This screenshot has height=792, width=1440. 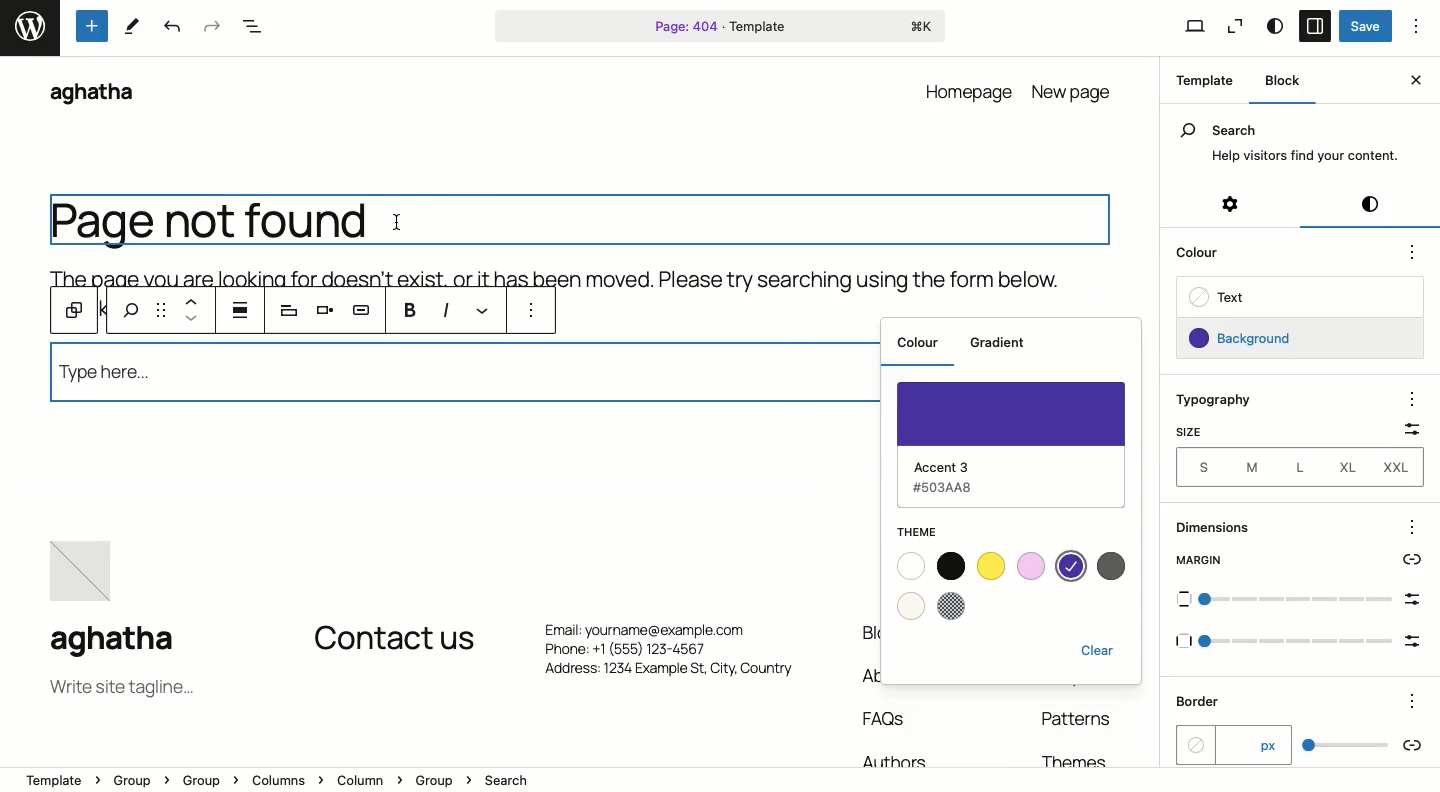 I want to click on aghatha, so click(x=90, y=93).